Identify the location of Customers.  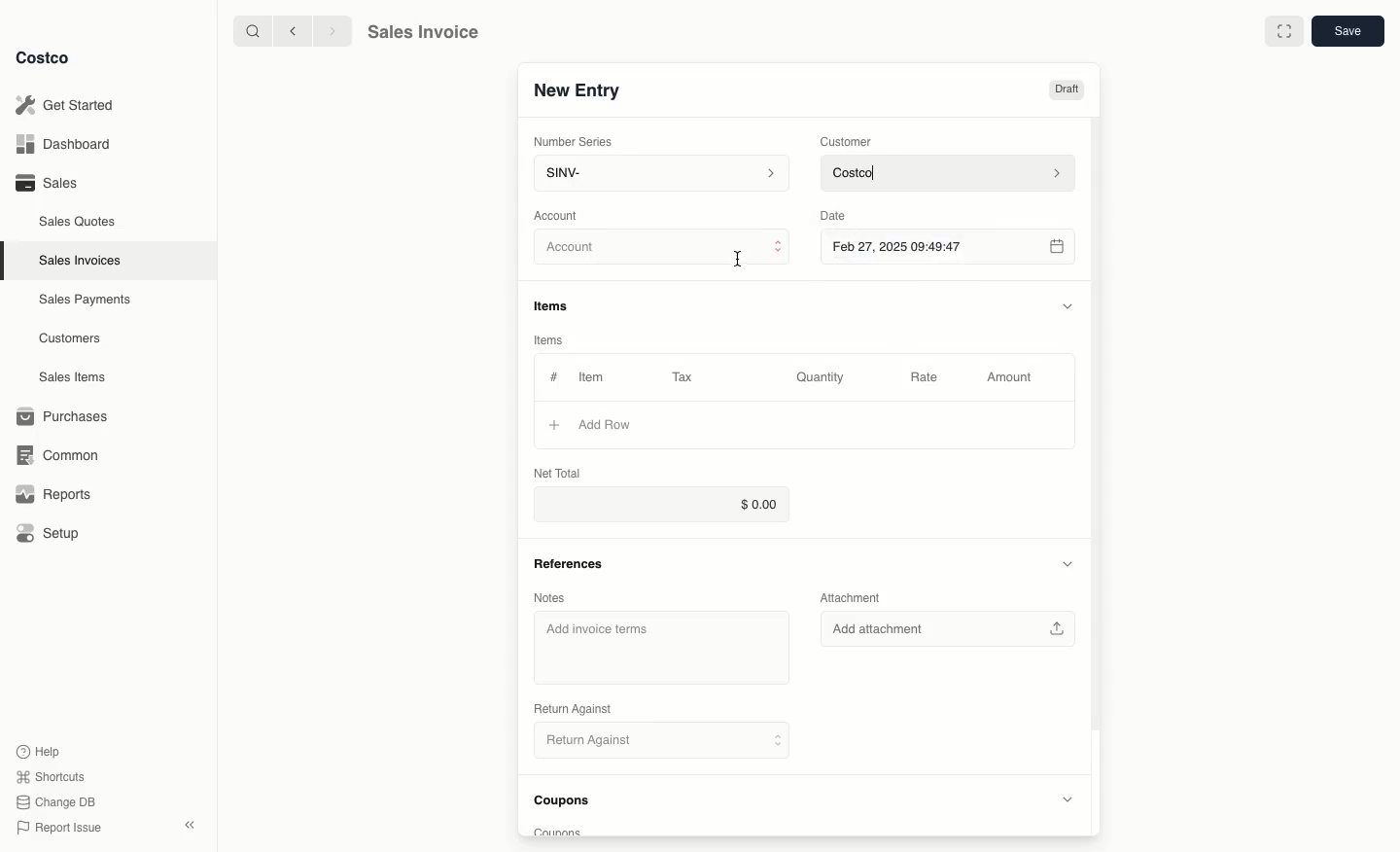
(73, 338).